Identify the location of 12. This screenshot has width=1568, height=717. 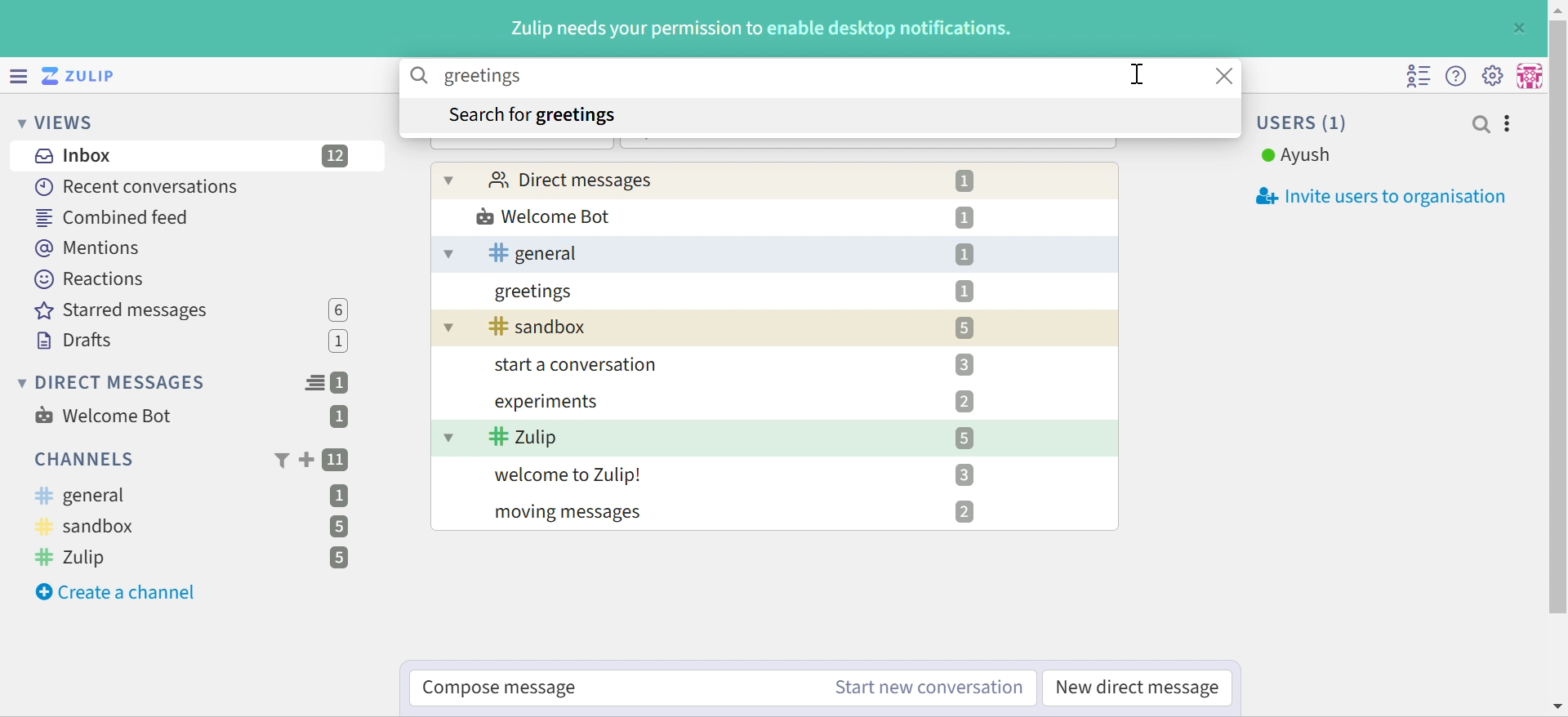
(336, 156).